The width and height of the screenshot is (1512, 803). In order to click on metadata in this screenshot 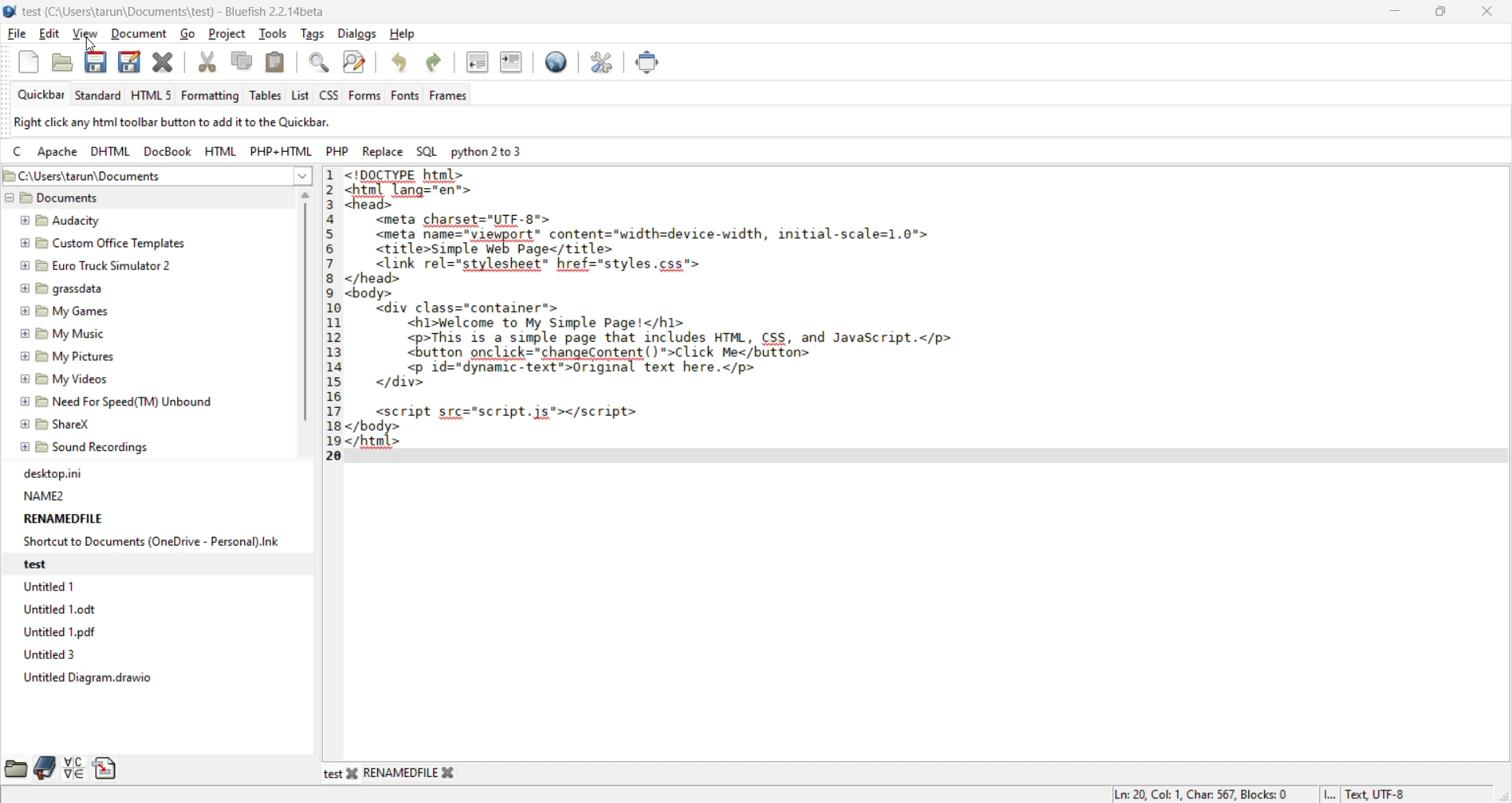, I will do `click(183, 123)`.